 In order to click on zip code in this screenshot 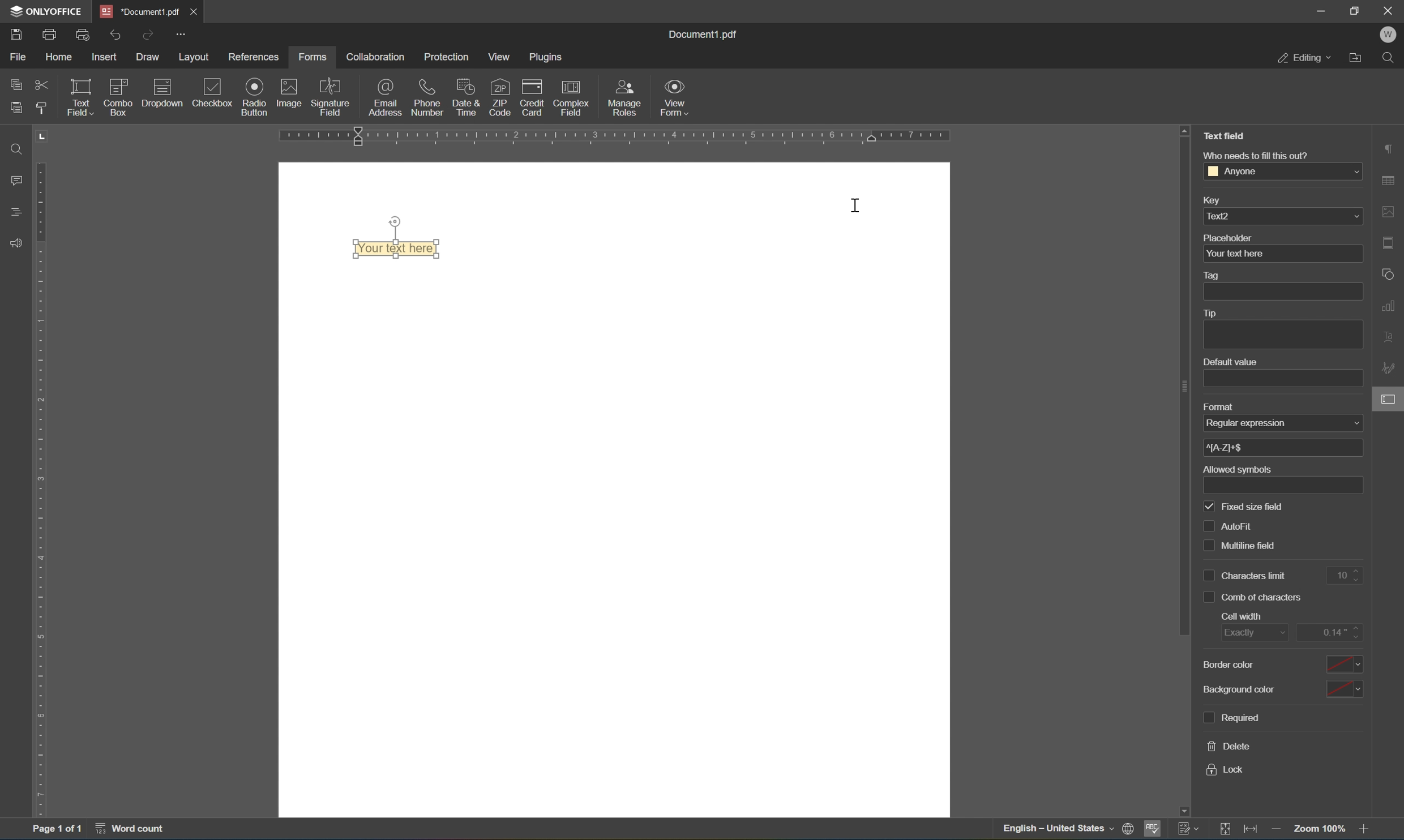, I will do `click(499, 97)`.